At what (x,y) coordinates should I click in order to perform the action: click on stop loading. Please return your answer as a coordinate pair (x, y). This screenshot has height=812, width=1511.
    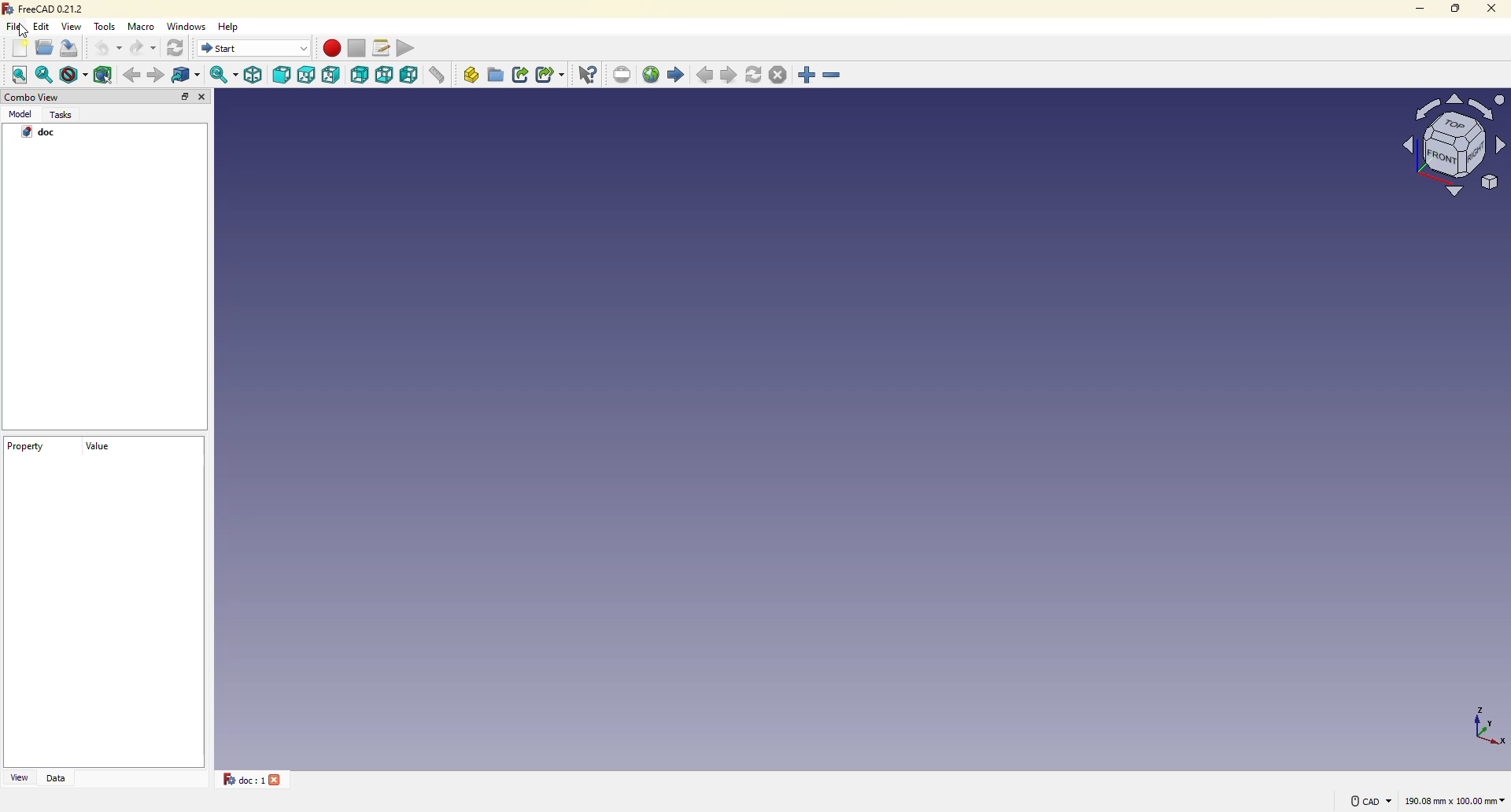
    Looking at the image, I should click on (777, 75).